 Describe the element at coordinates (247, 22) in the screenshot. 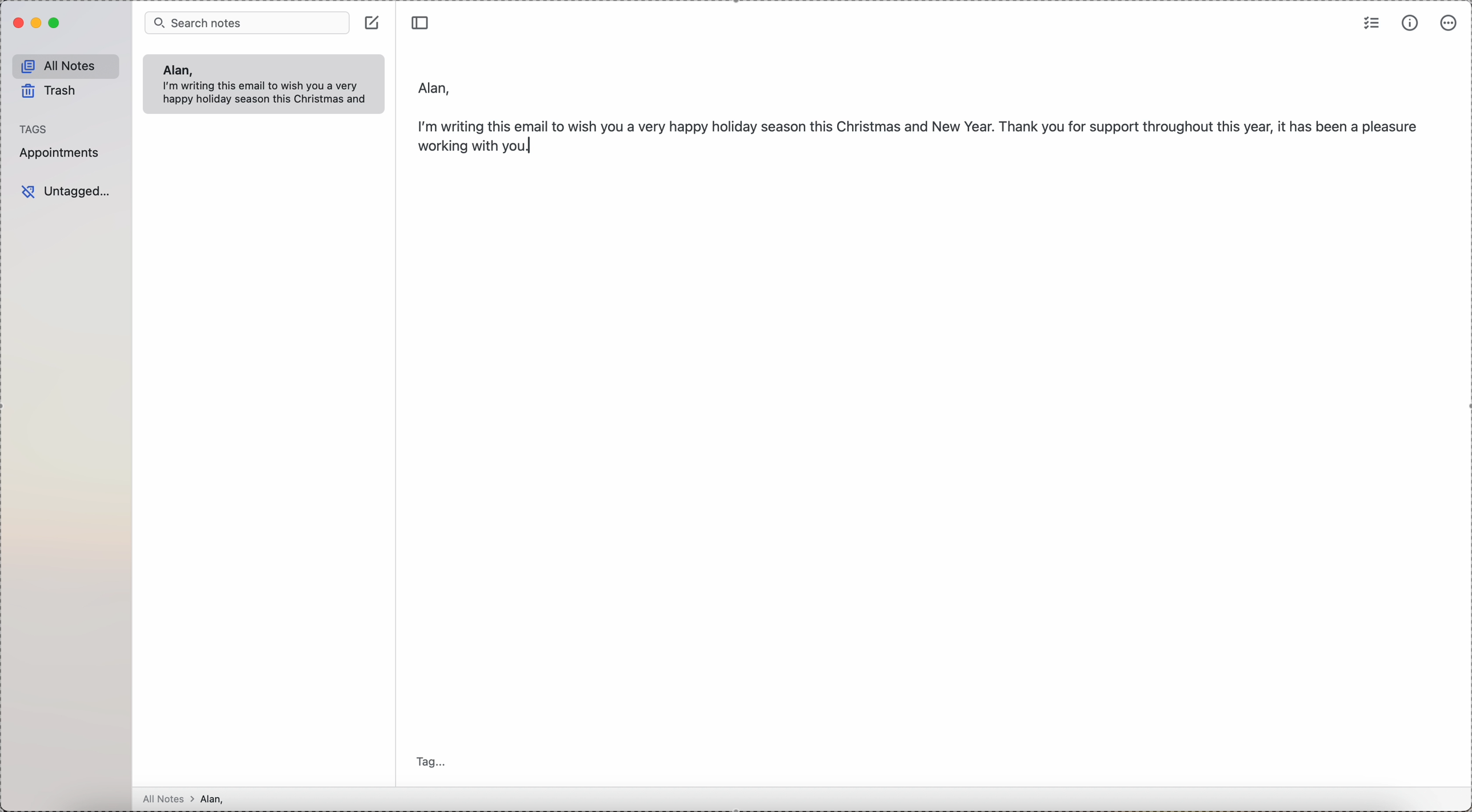

I see `search bar` at that location.